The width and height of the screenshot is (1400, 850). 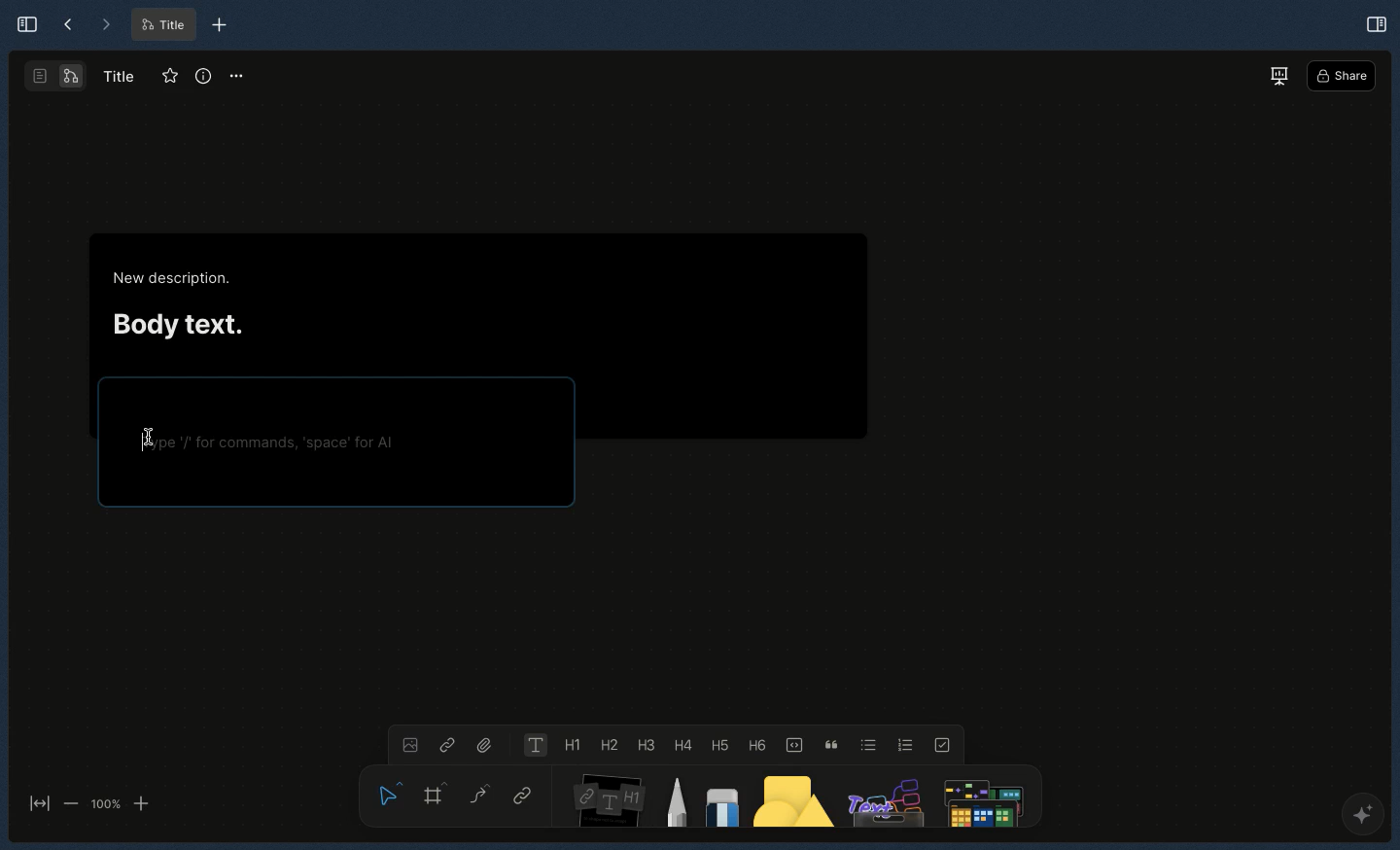 What do you see at coordinates (68, 25) in the screenshot?
I see `Back` at bounding box center [68, 25].